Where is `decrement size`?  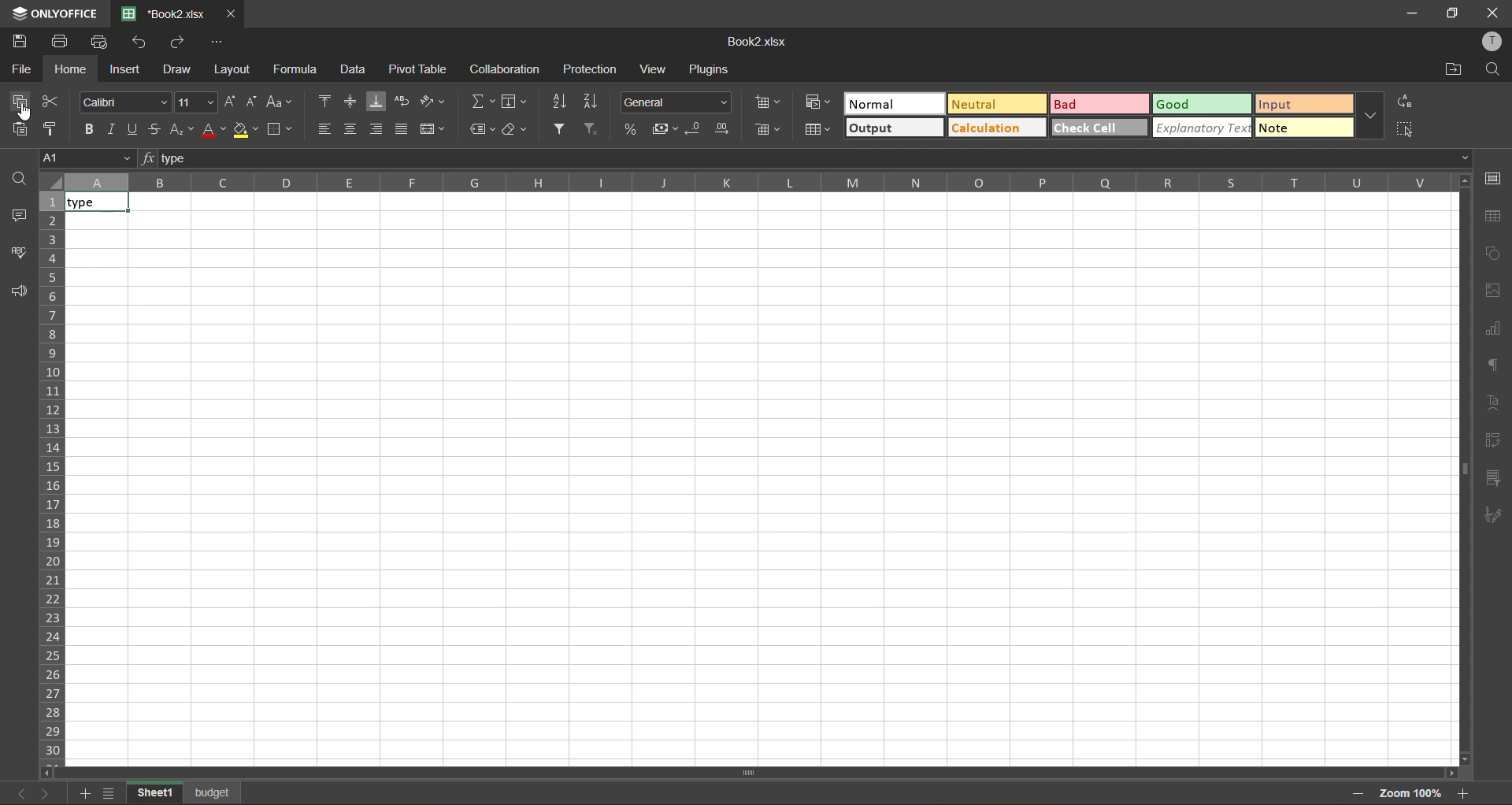 decrement size is located at coordinates (254, 102).